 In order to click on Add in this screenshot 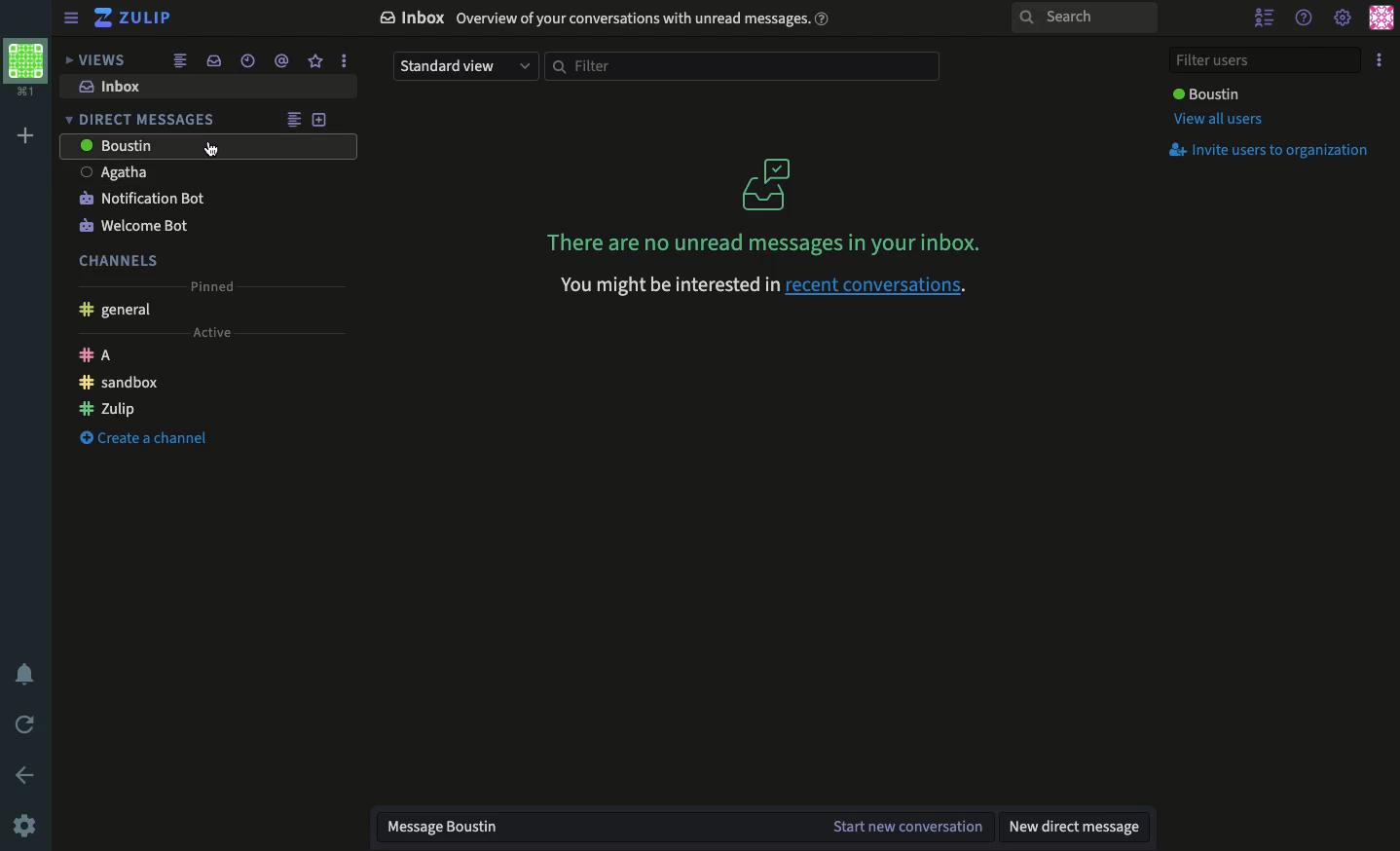, I will do `click(320, 118)`.